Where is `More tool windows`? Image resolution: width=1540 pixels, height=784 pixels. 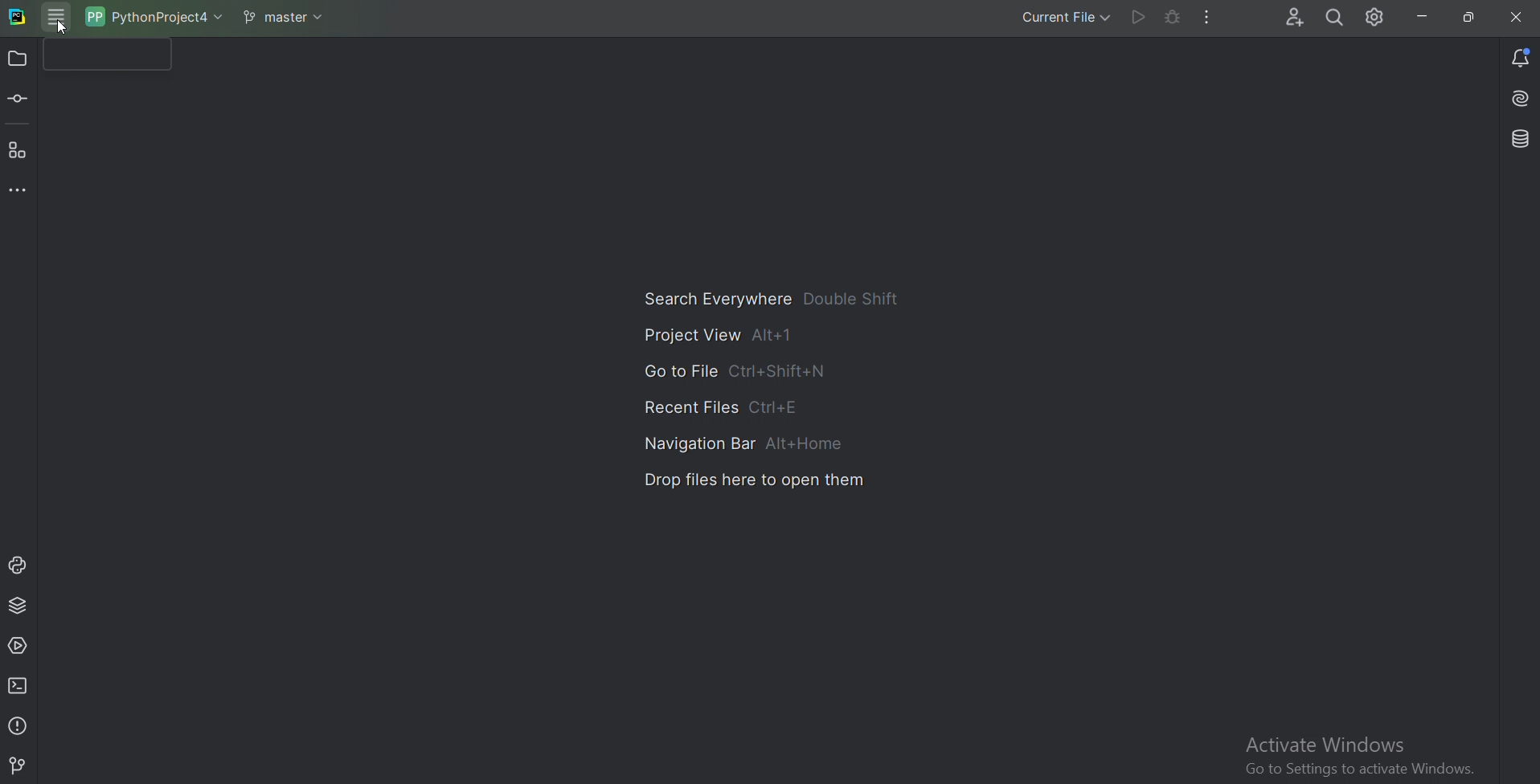 More tool windows is located at coordinates (23, 188).